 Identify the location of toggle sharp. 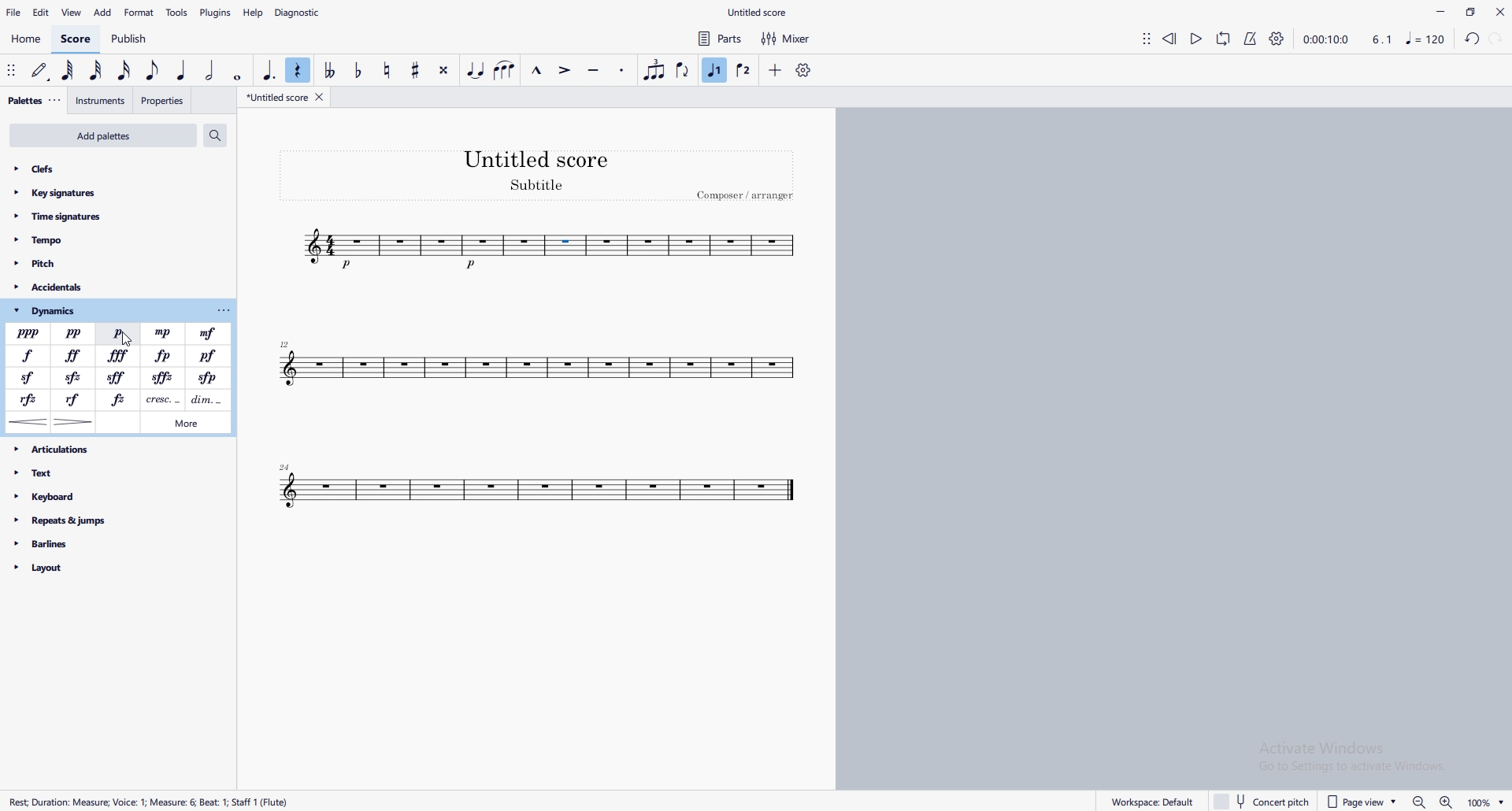
(415, 70).